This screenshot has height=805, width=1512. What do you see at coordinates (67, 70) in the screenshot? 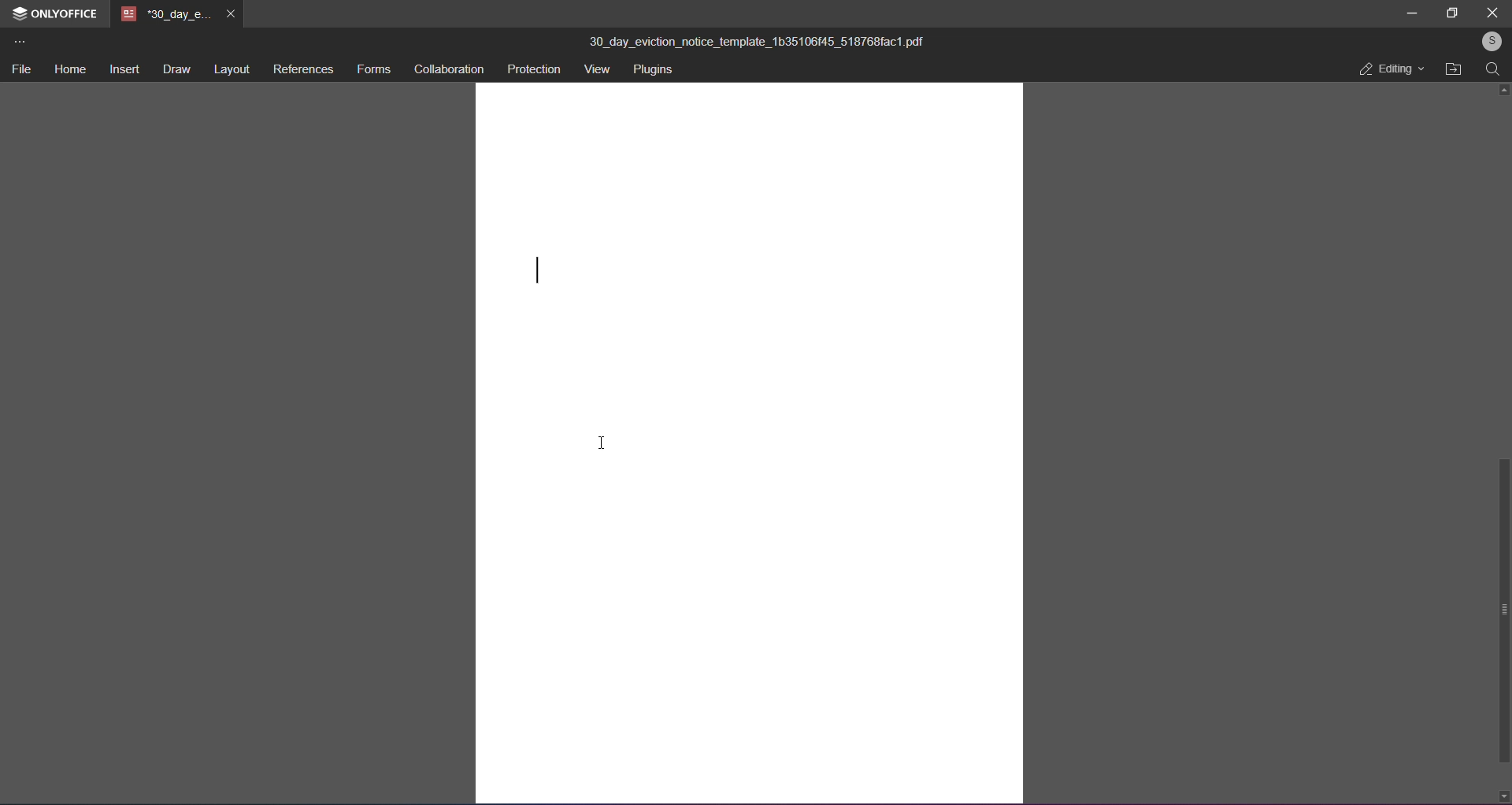
I see `home` at bounding box center [67, 70].